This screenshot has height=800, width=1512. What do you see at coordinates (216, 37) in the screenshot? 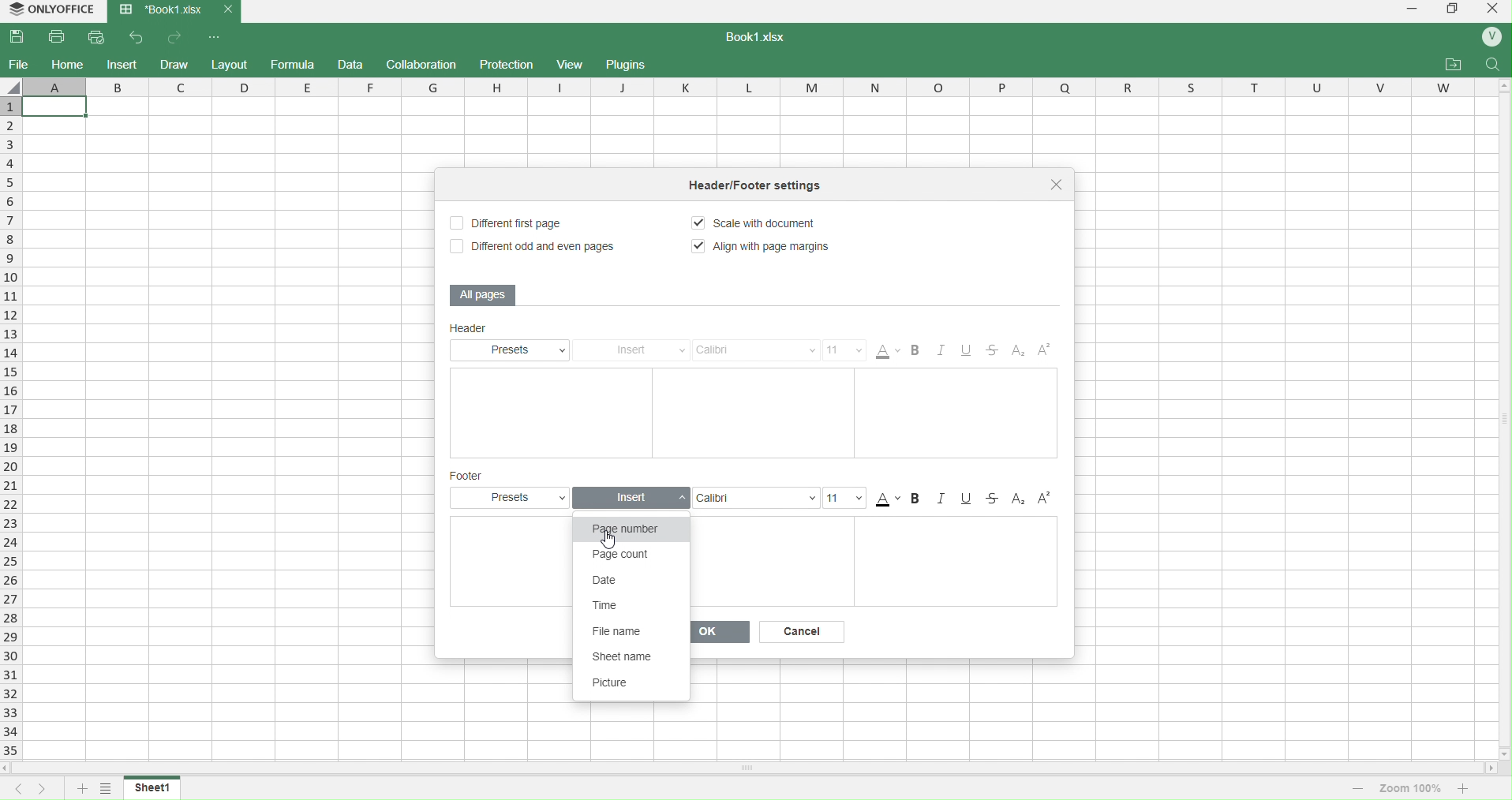
I see `options` at bounding box center [216, 37].